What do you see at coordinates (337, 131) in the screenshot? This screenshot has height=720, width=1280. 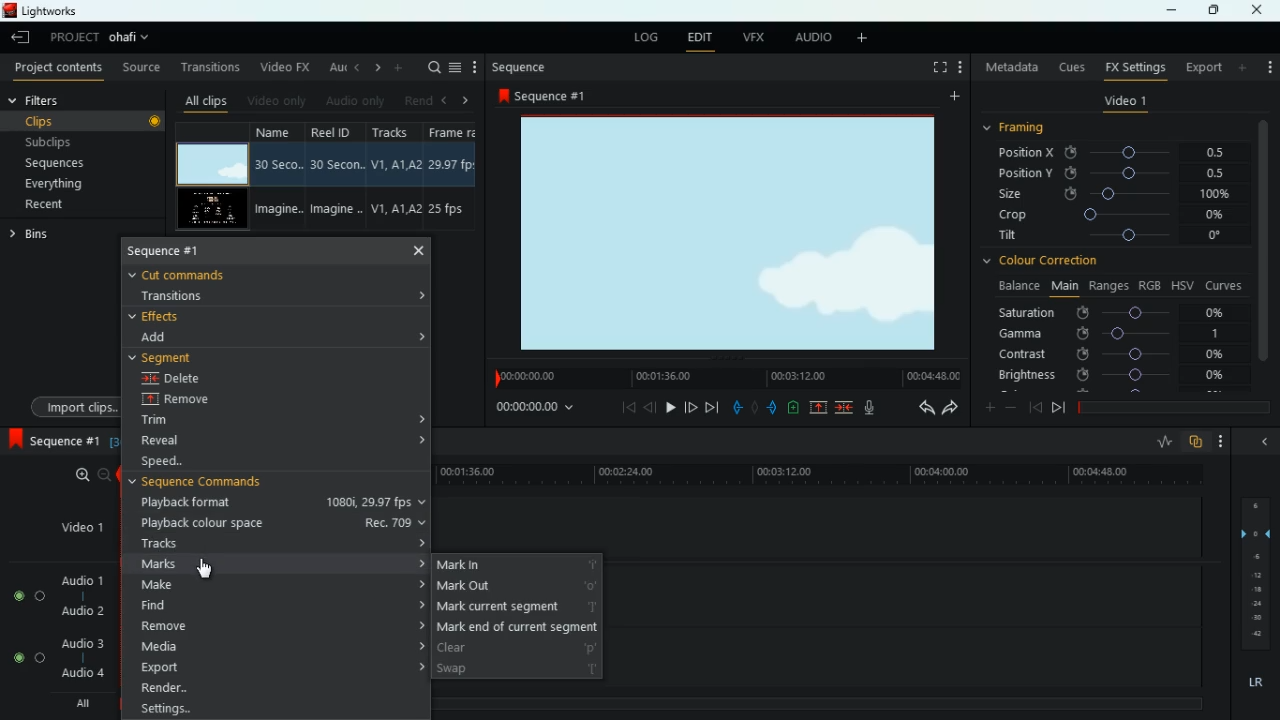 I see `reel id` at bounding box center [337, 131].